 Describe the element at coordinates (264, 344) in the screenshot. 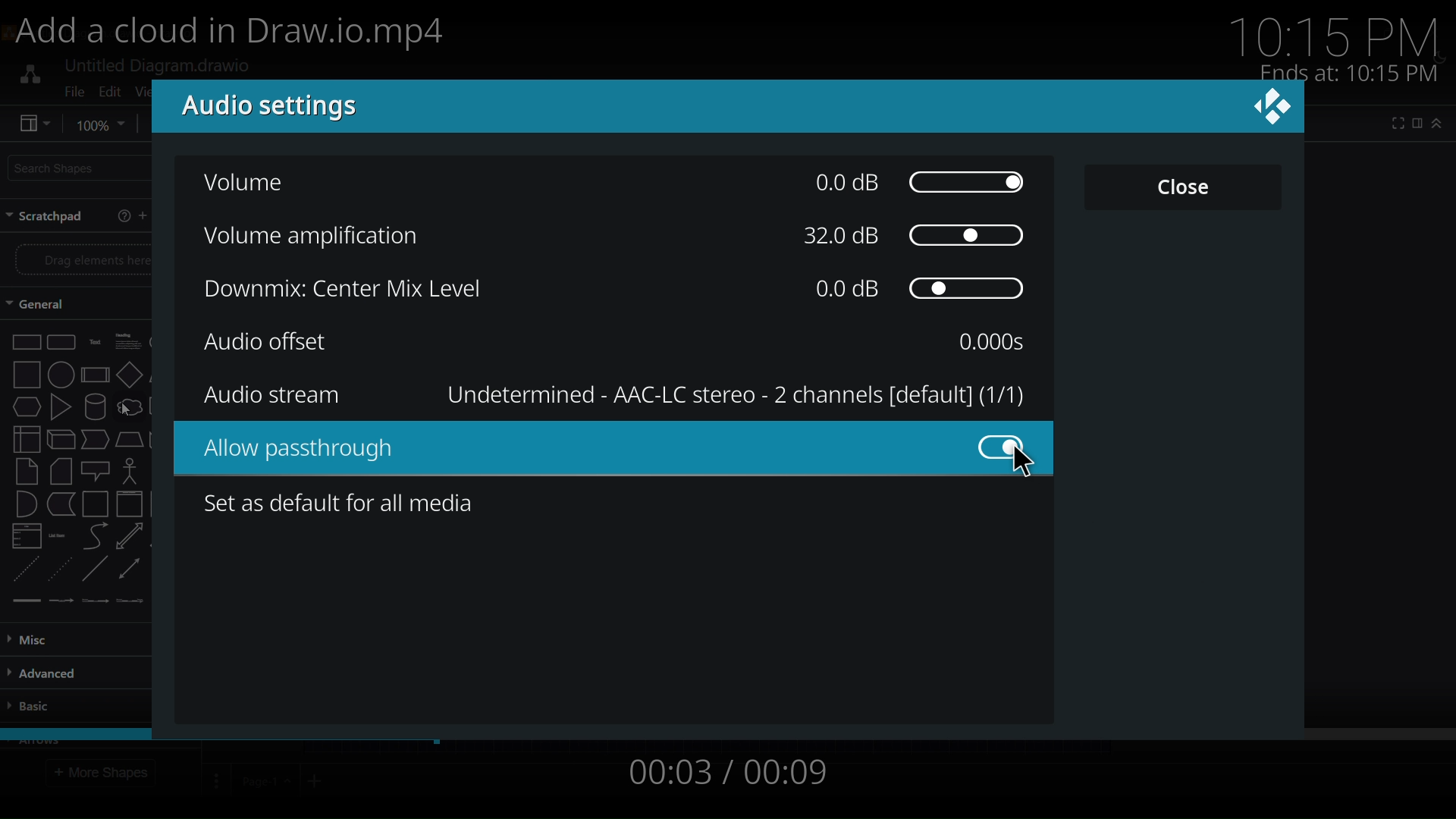

I see `audio offset` at that location.